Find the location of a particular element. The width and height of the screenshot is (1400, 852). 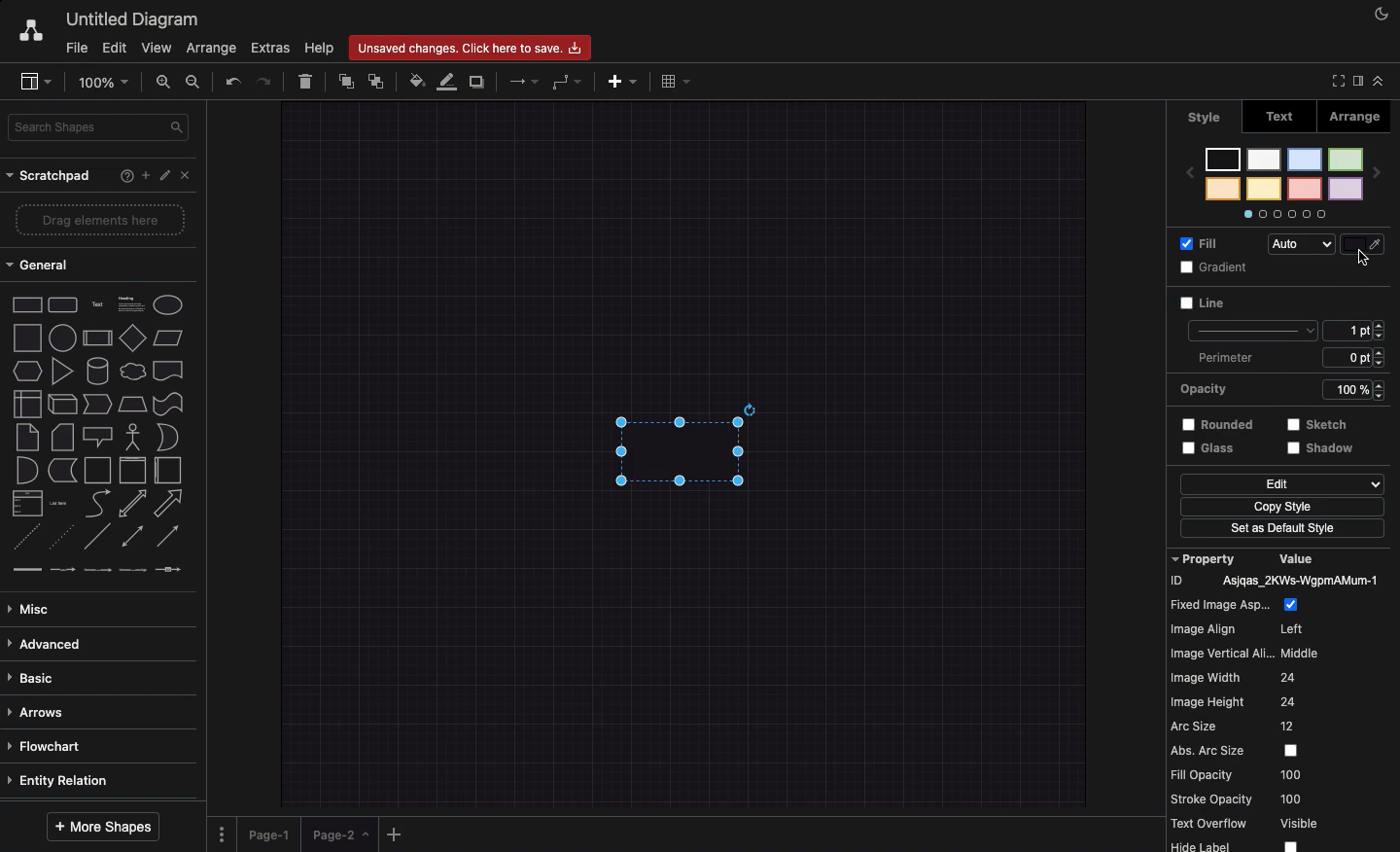

Size is located at coordinates (1359, 345).